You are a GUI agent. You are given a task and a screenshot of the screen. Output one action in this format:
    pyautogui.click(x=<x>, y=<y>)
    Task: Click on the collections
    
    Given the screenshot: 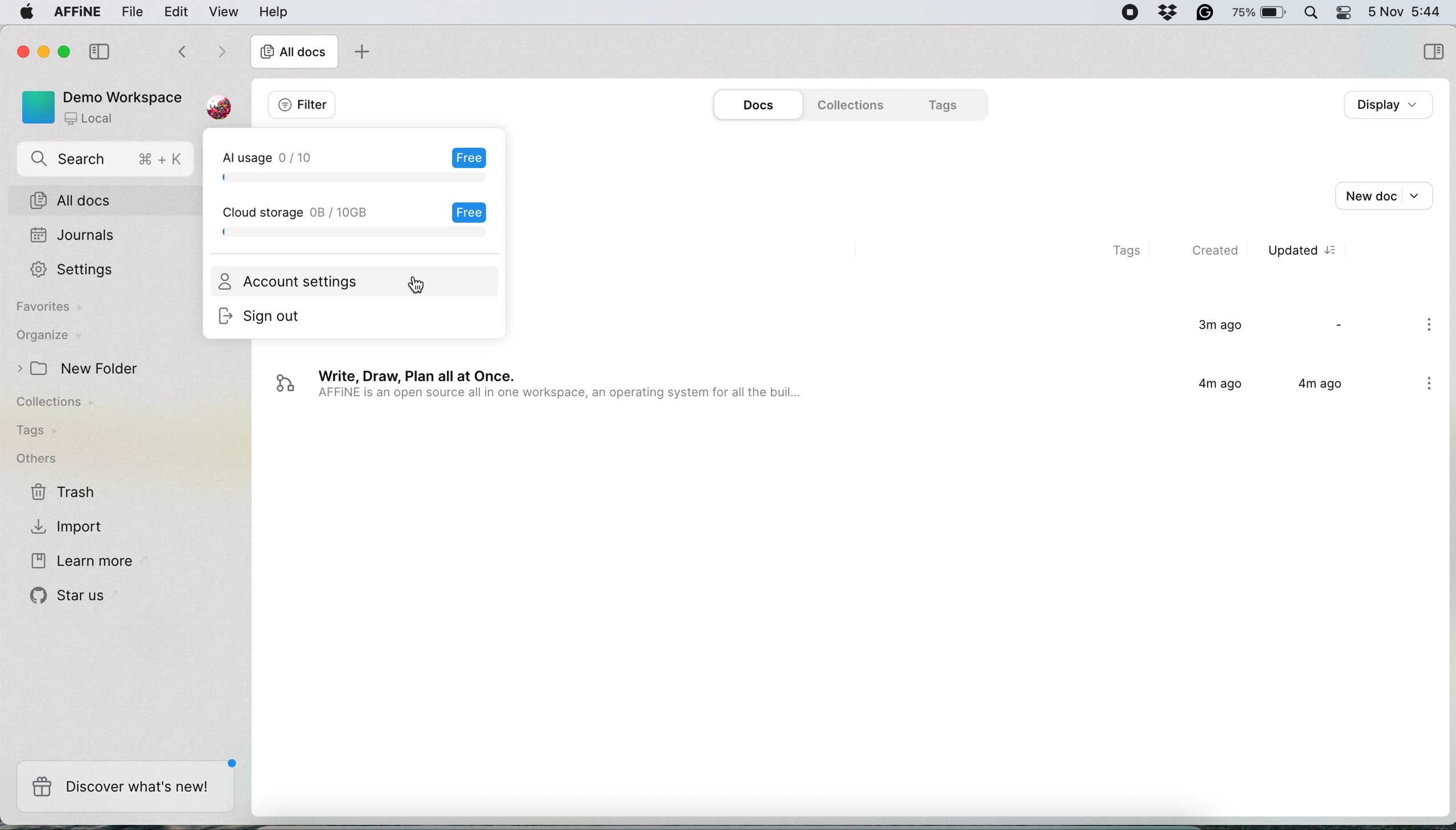 What is the action you would take?
    pyautogui.click(x=847, y=105)
    